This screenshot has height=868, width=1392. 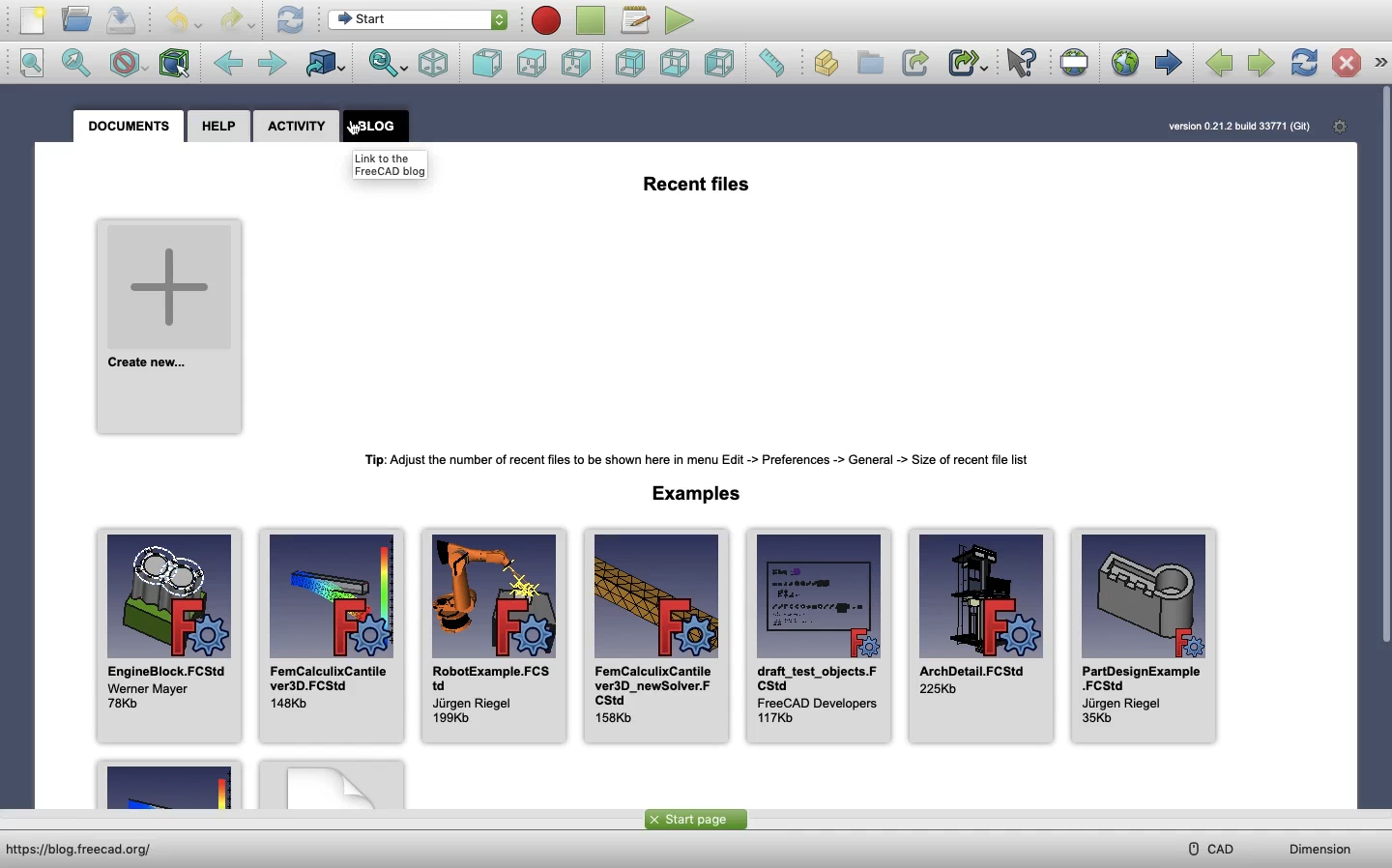 What do you see at coordinates (418, 20) in the screenshot?
I see `Start` at bounding box center [418, 20].